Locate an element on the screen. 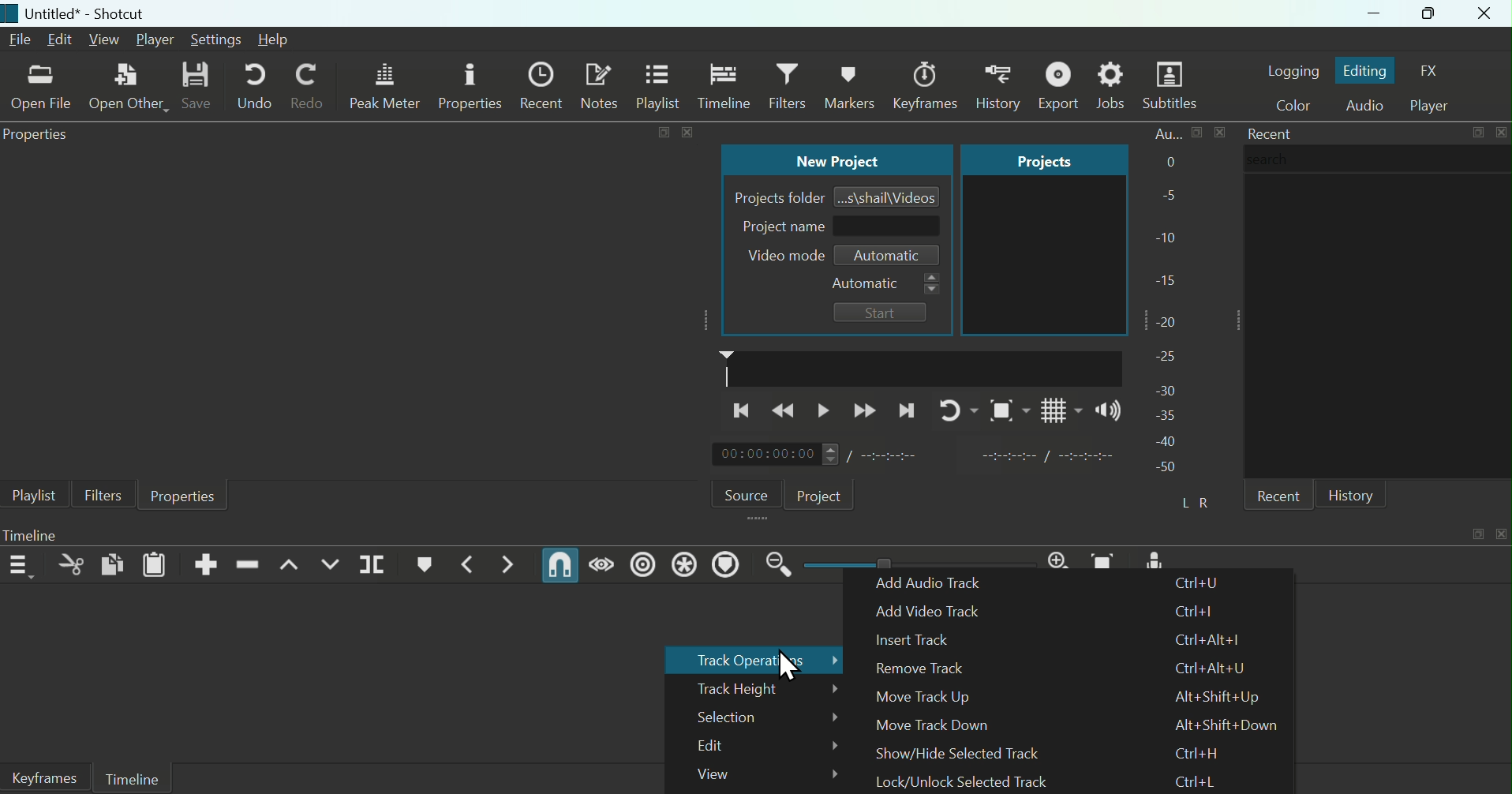 This screenshot has height=794, width=1512. Ctrl+L is located at coordinates (1197, 779).